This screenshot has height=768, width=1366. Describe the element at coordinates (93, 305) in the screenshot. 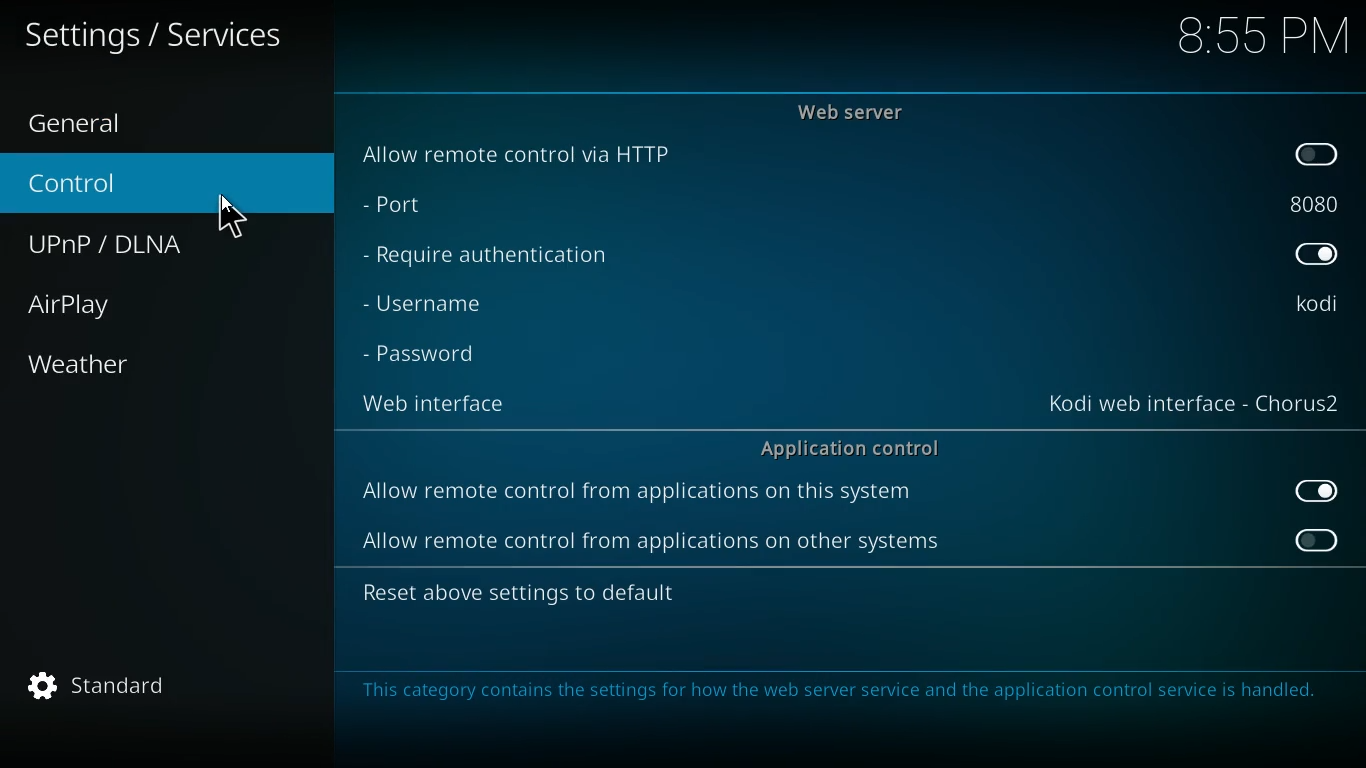

I see `AirPlay` at that location.